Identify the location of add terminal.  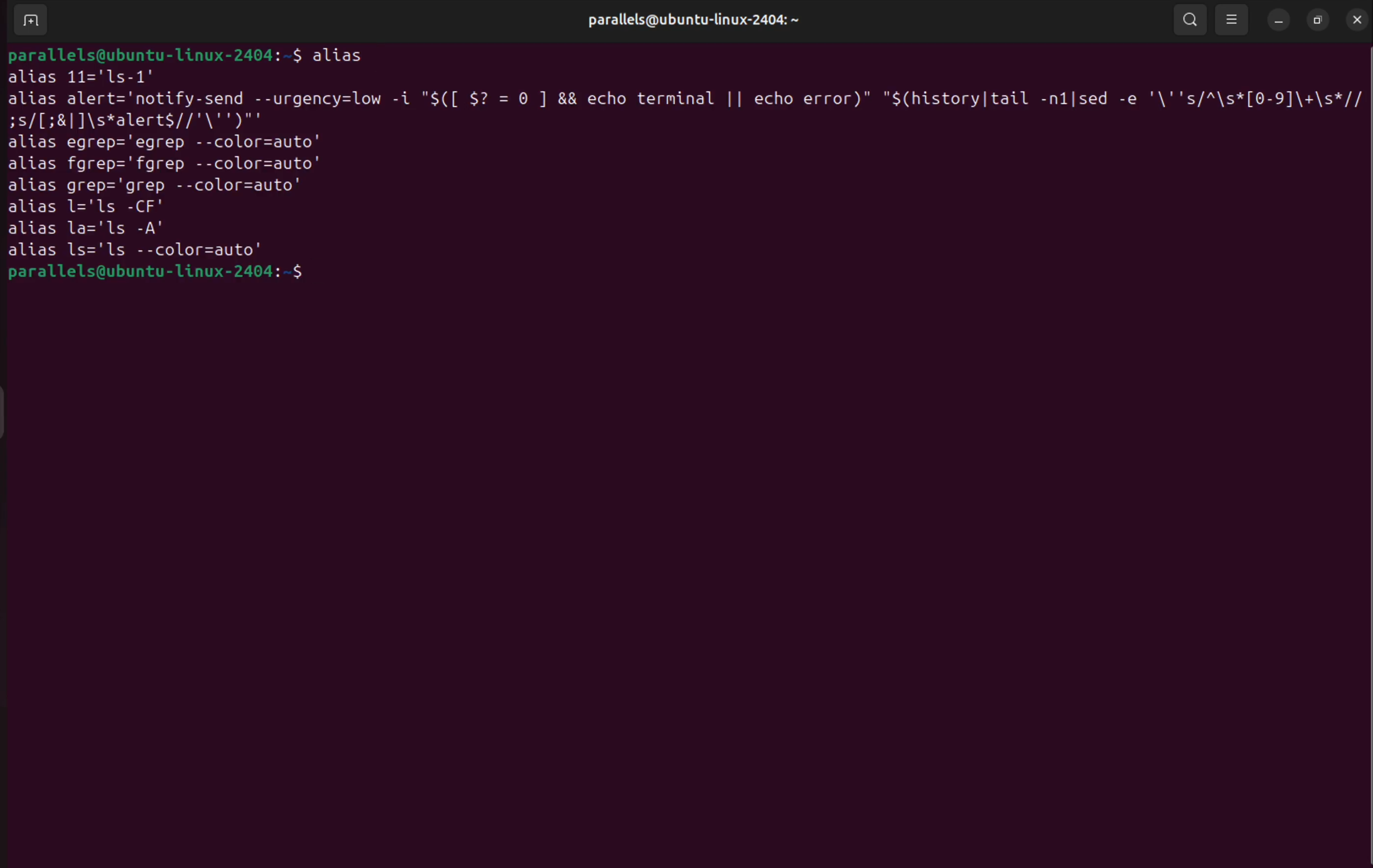
(29, 23).